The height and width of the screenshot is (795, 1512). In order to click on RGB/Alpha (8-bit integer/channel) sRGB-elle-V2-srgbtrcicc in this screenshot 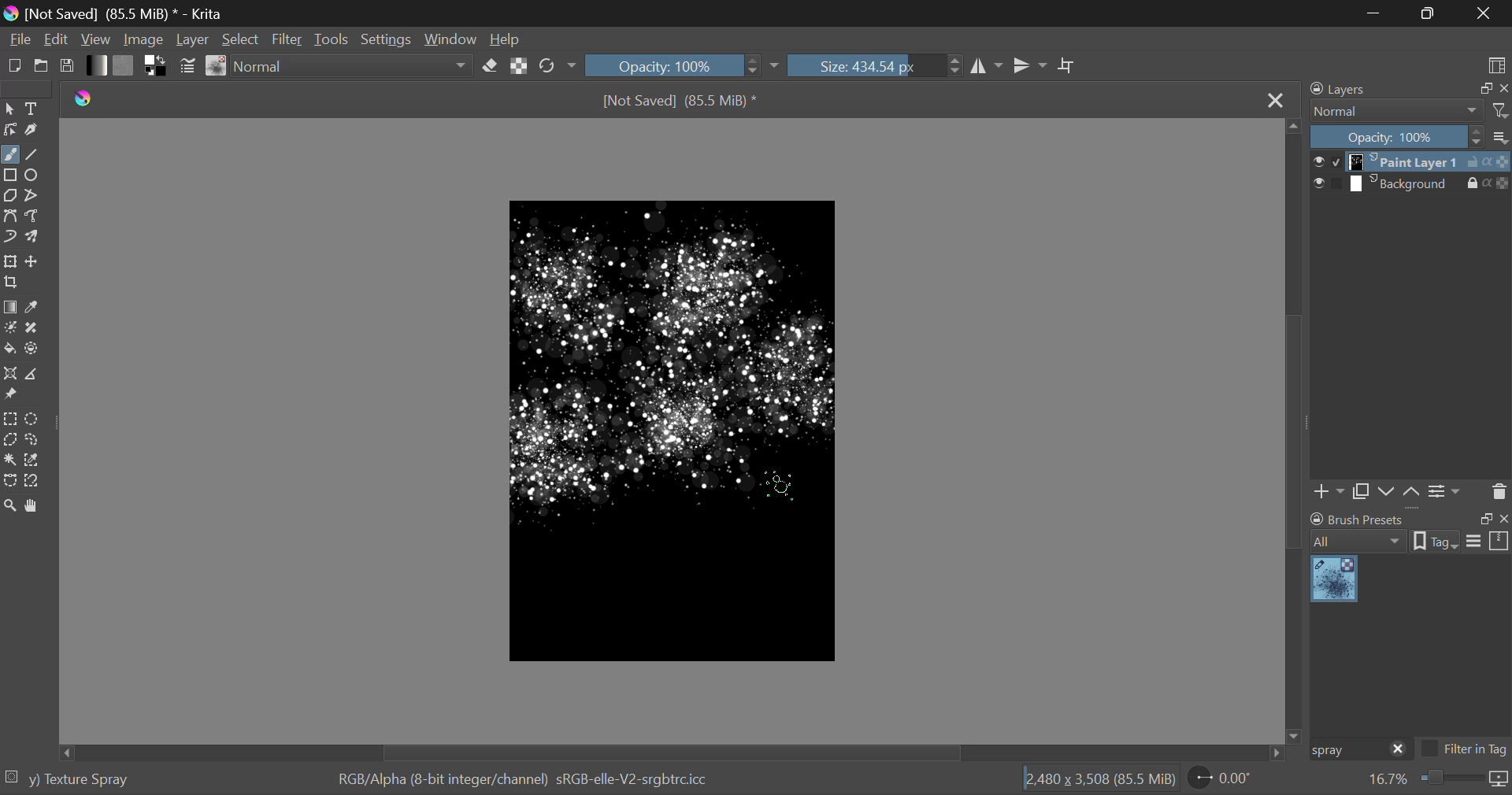, I will do `click(524, 780)`.